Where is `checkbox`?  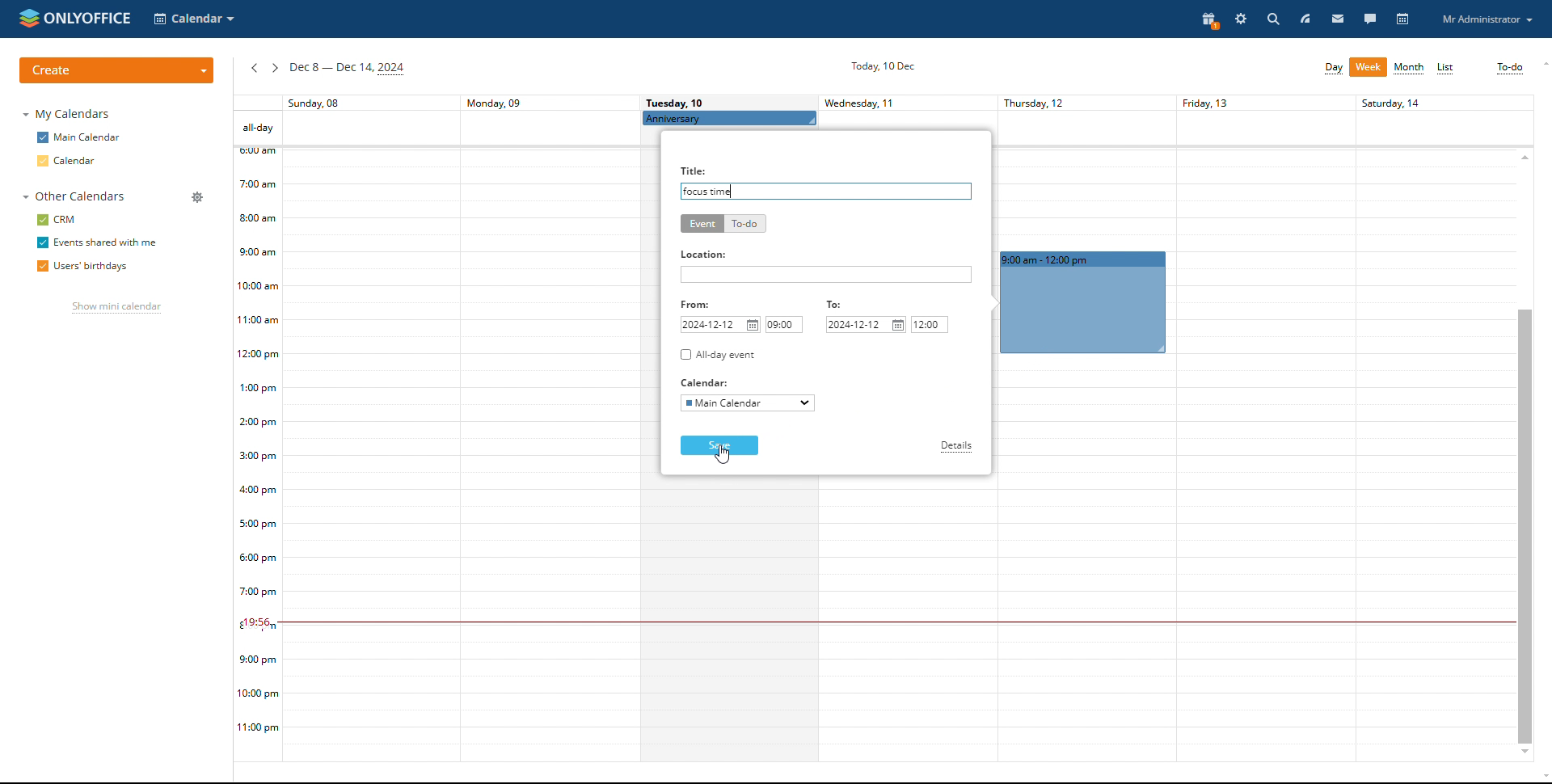 checkbox is located at coordinates (41, 219).